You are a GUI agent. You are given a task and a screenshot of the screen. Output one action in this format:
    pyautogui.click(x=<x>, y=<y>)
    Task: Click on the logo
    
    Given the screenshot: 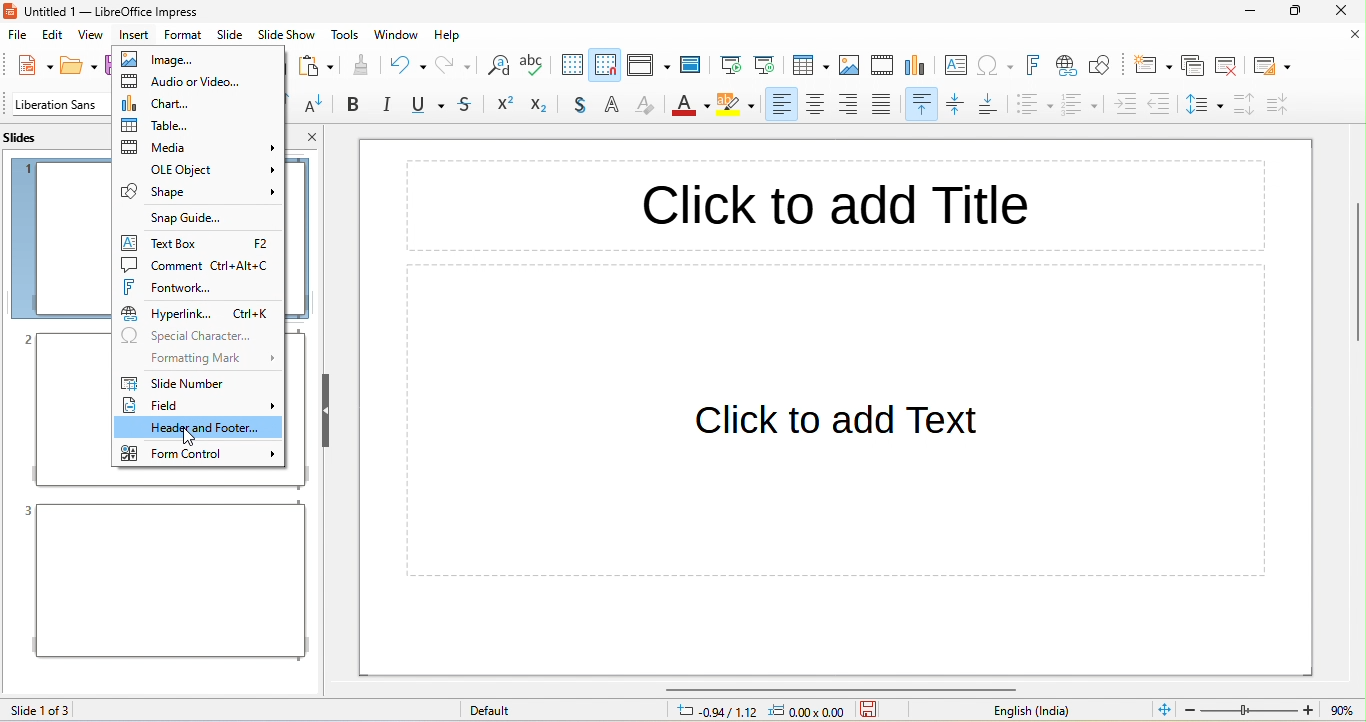 What is the action you would take?
    pyautogui.click(x=11, y=12)
    